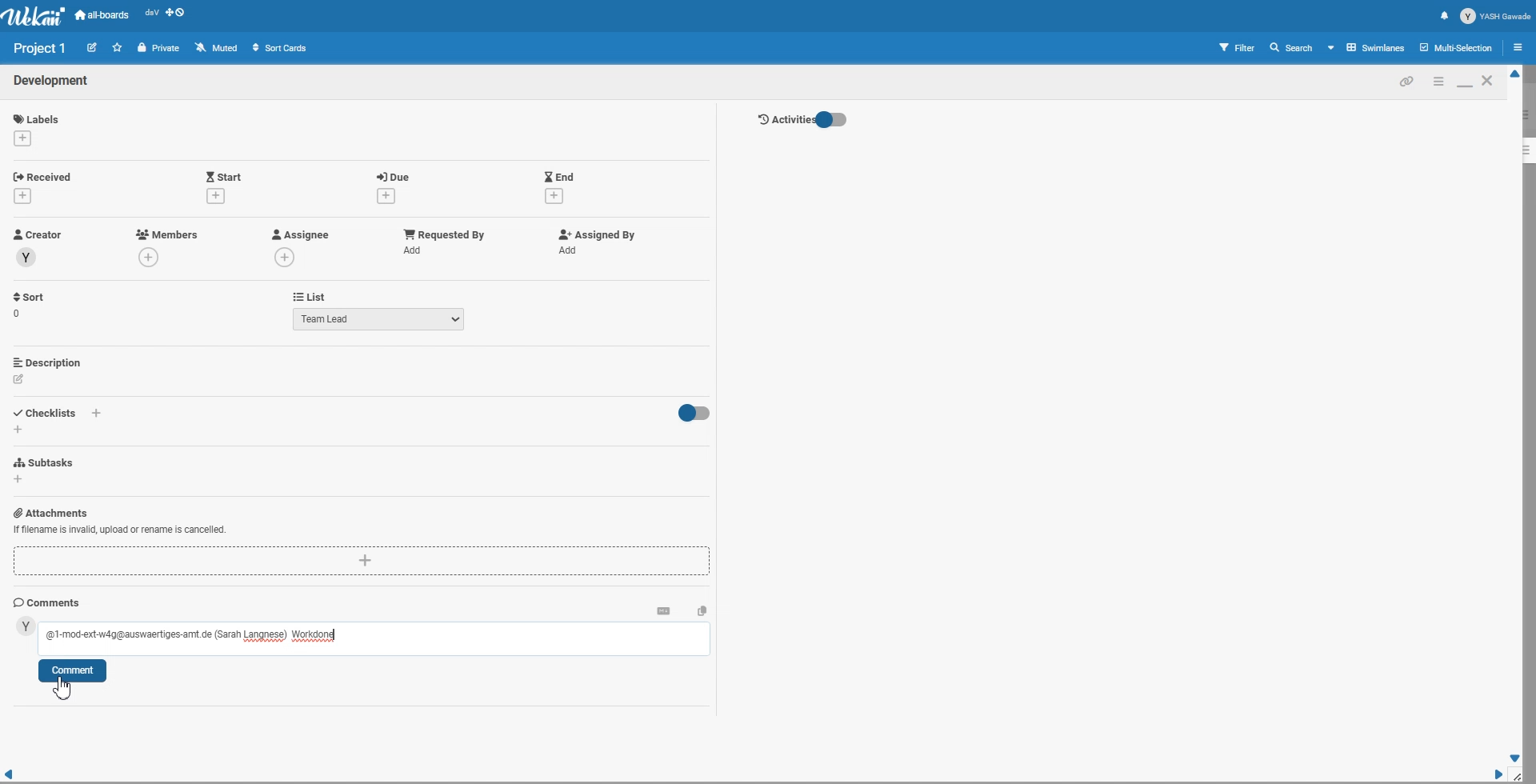  Describe the element at coordinates (19, 379) in the screenshot. I see `edit` at that location.